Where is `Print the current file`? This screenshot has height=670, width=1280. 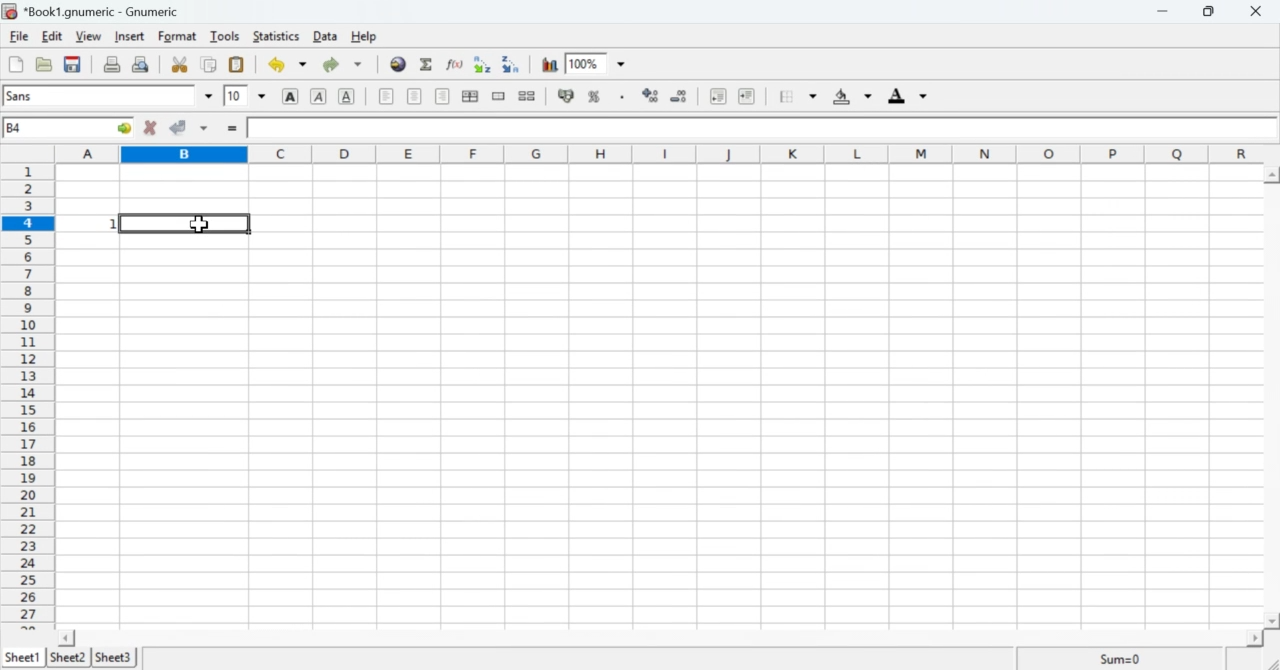 Print the current file is located at coordinates (111, 63).